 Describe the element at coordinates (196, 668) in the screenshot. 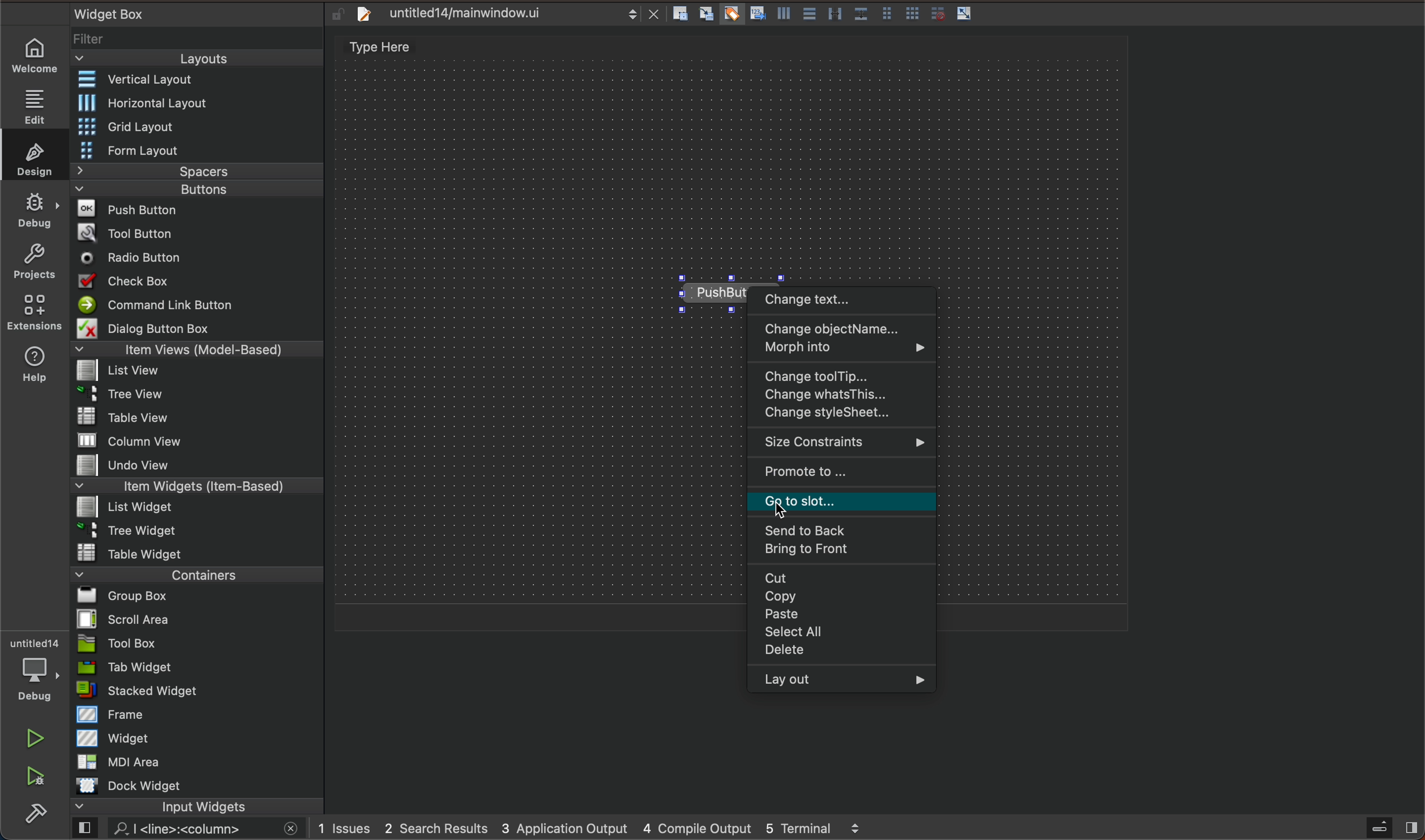

I see `tab widget` at that location.